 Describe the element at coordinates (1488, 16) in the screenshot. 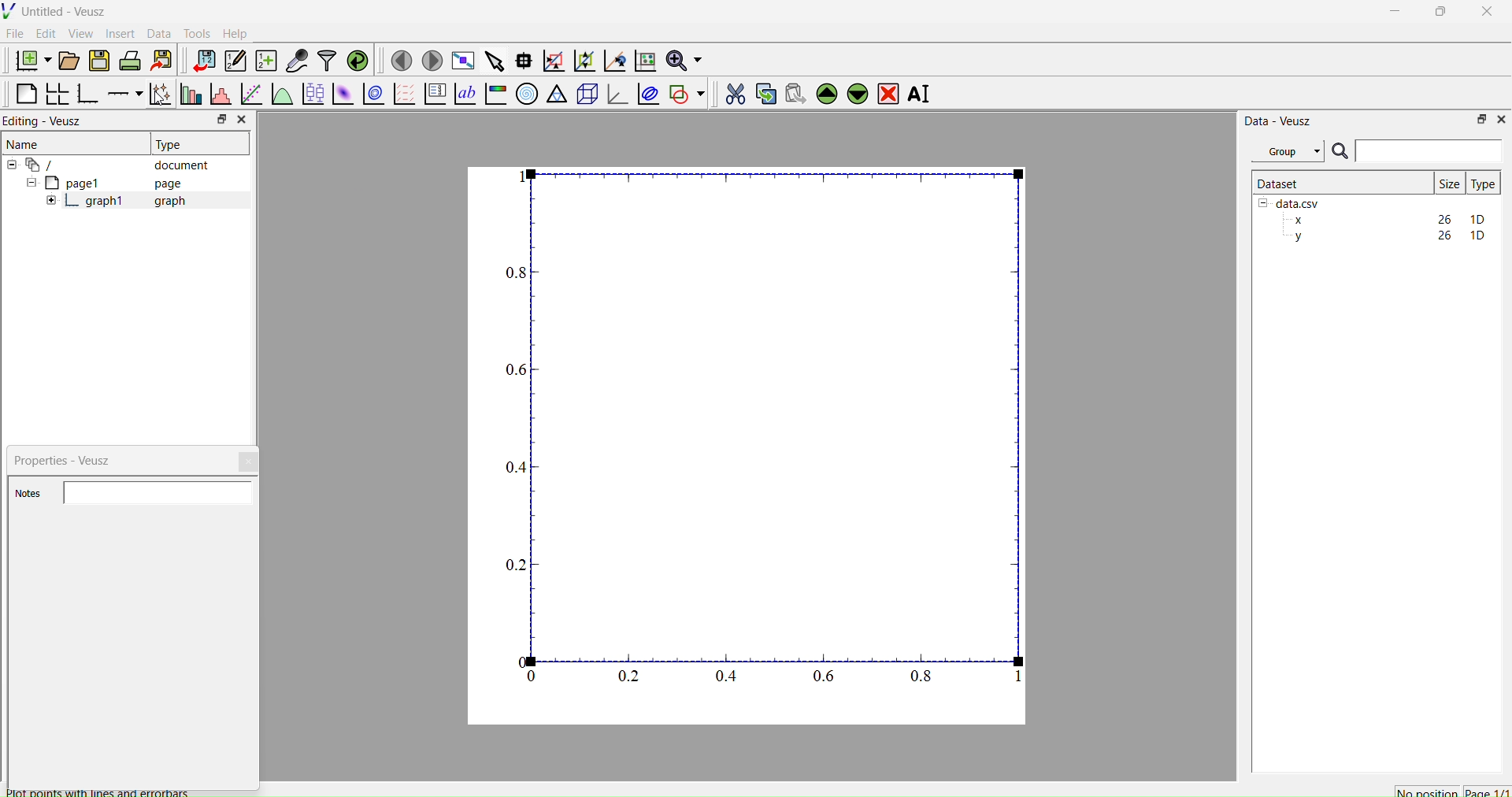

I see `Close` at that location.